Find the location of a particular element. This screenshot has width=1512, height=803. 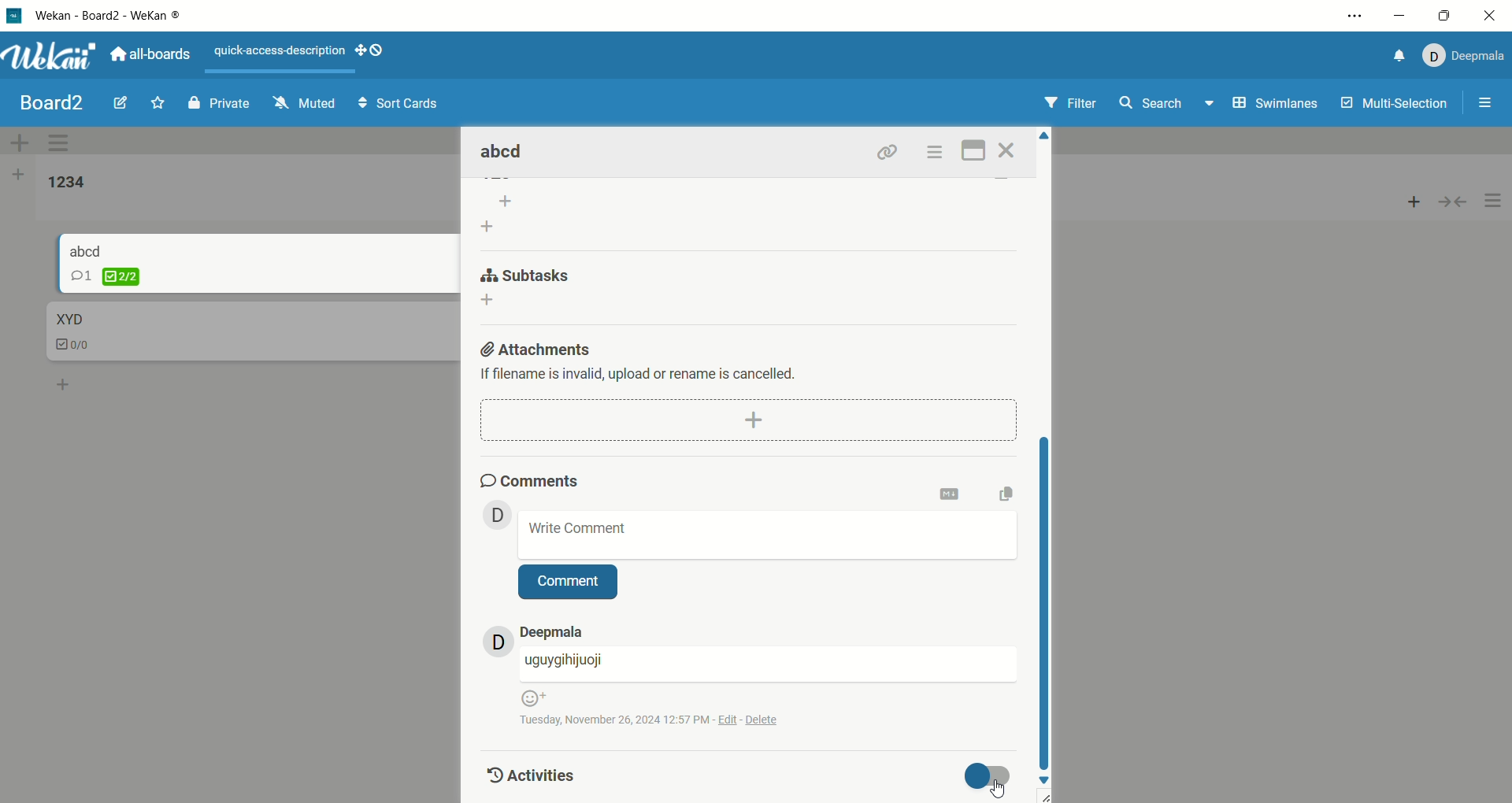

edit is located at coordinates (120, 101).